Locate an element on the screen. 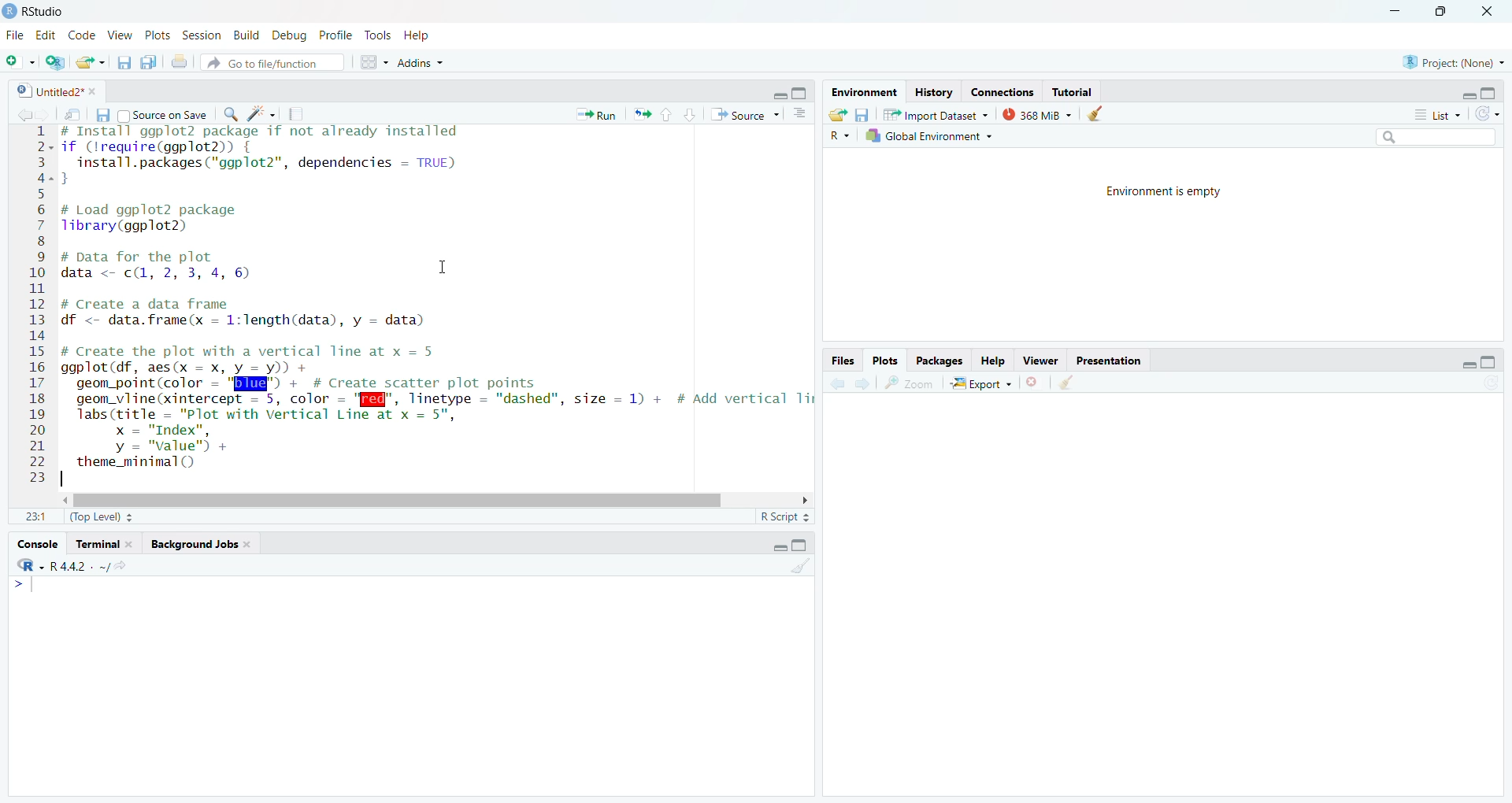  next is located at coordinates (869, 384).